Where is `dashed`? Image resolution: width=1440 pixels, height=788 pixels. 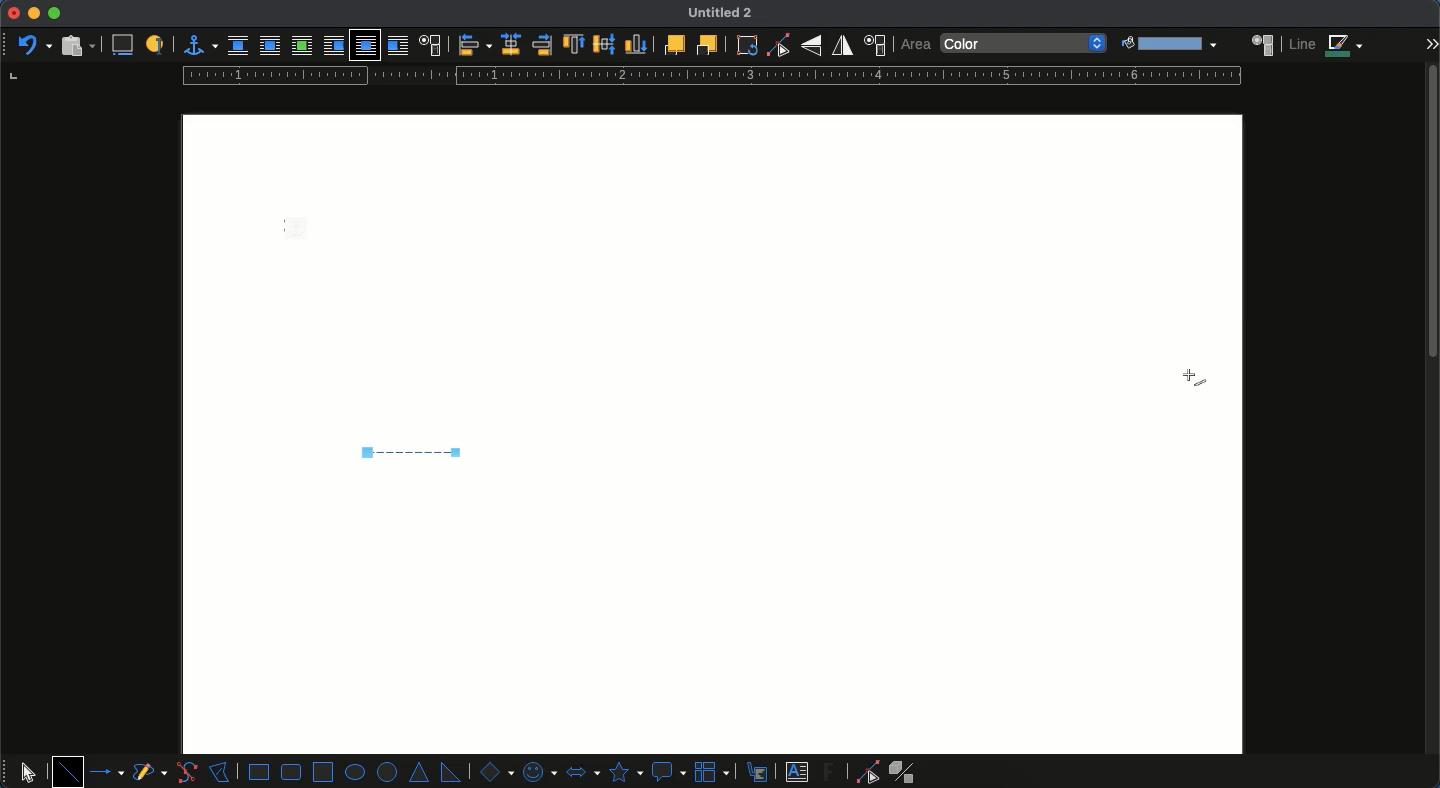 dashed is located at coordinates (414, 449).